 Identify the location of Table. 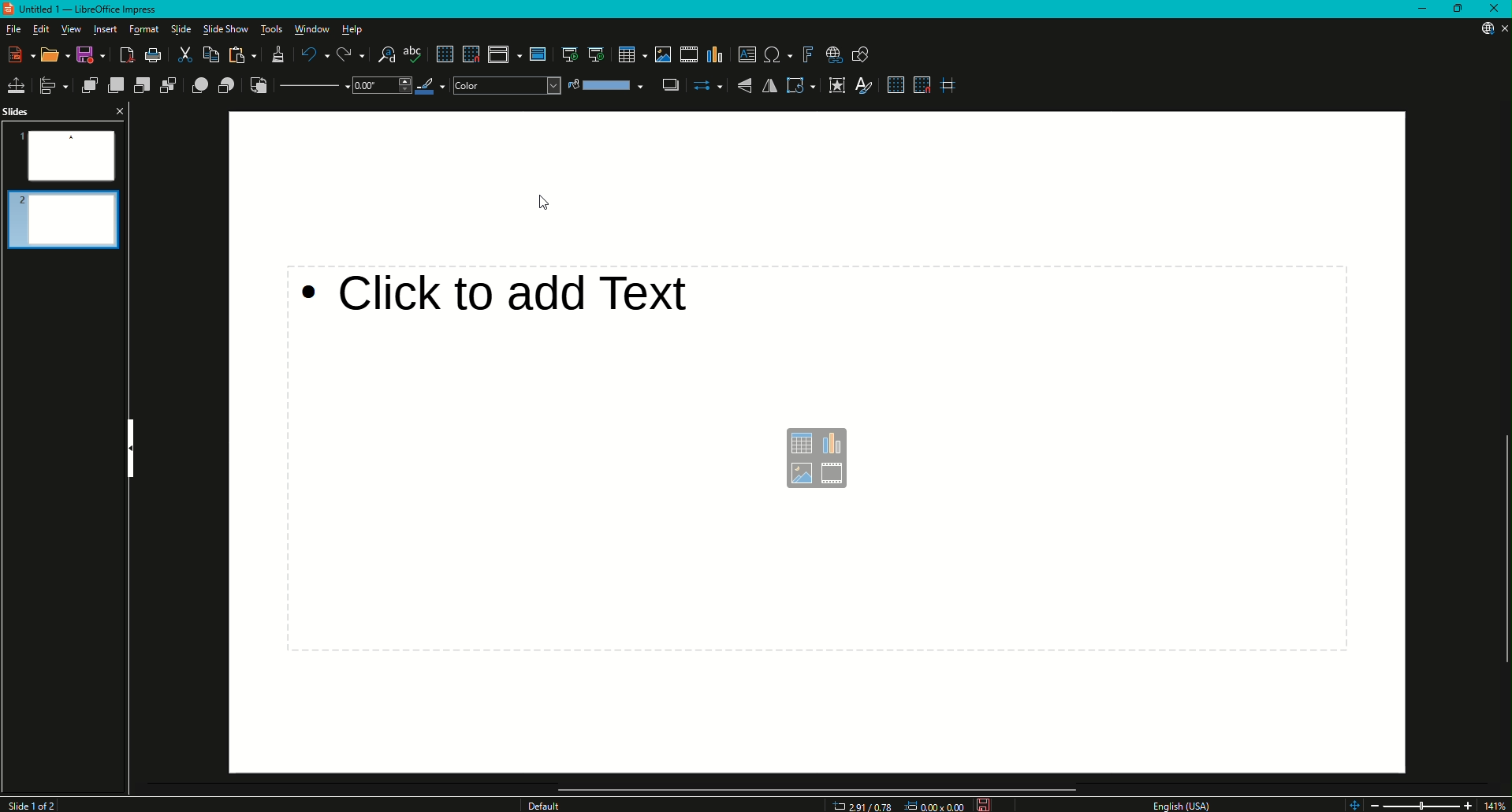
(628, 52).